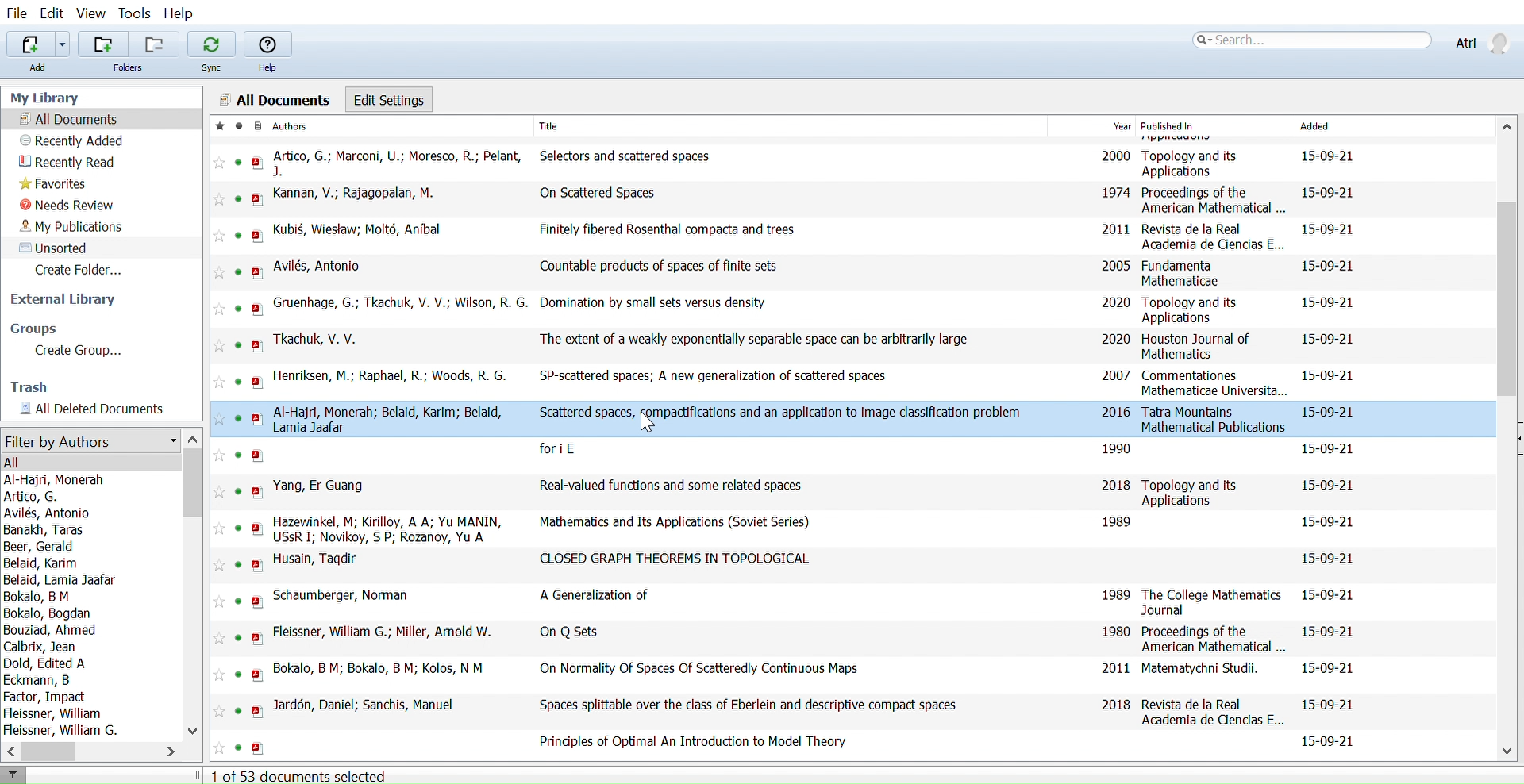  What do you see at coordinates (220, 605) in the screenshot?
I see `favourite` at bounding box center [220, 605].